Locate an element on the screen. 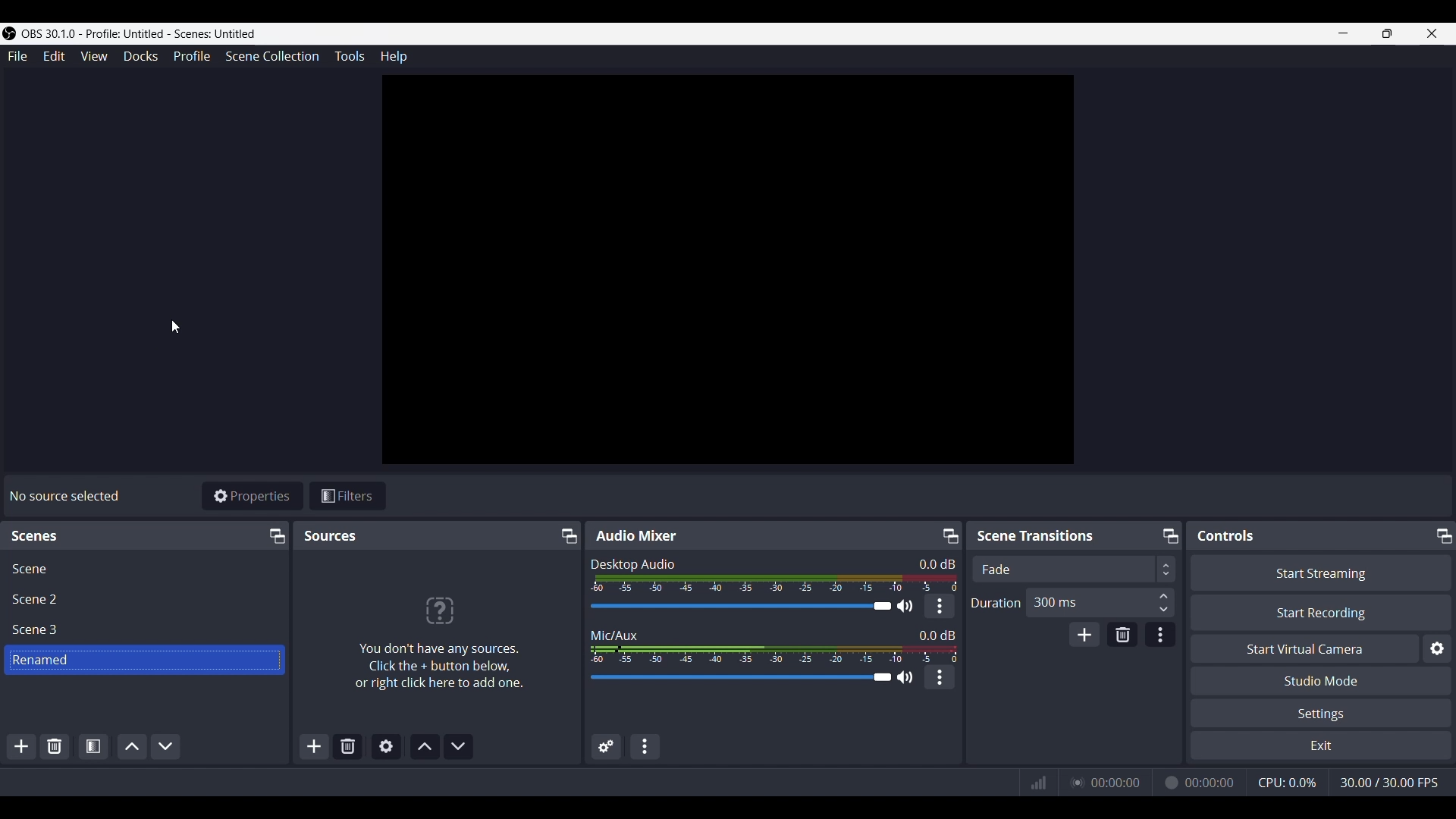   Undock/Pop-out icon is located at coordinates (566, 536).